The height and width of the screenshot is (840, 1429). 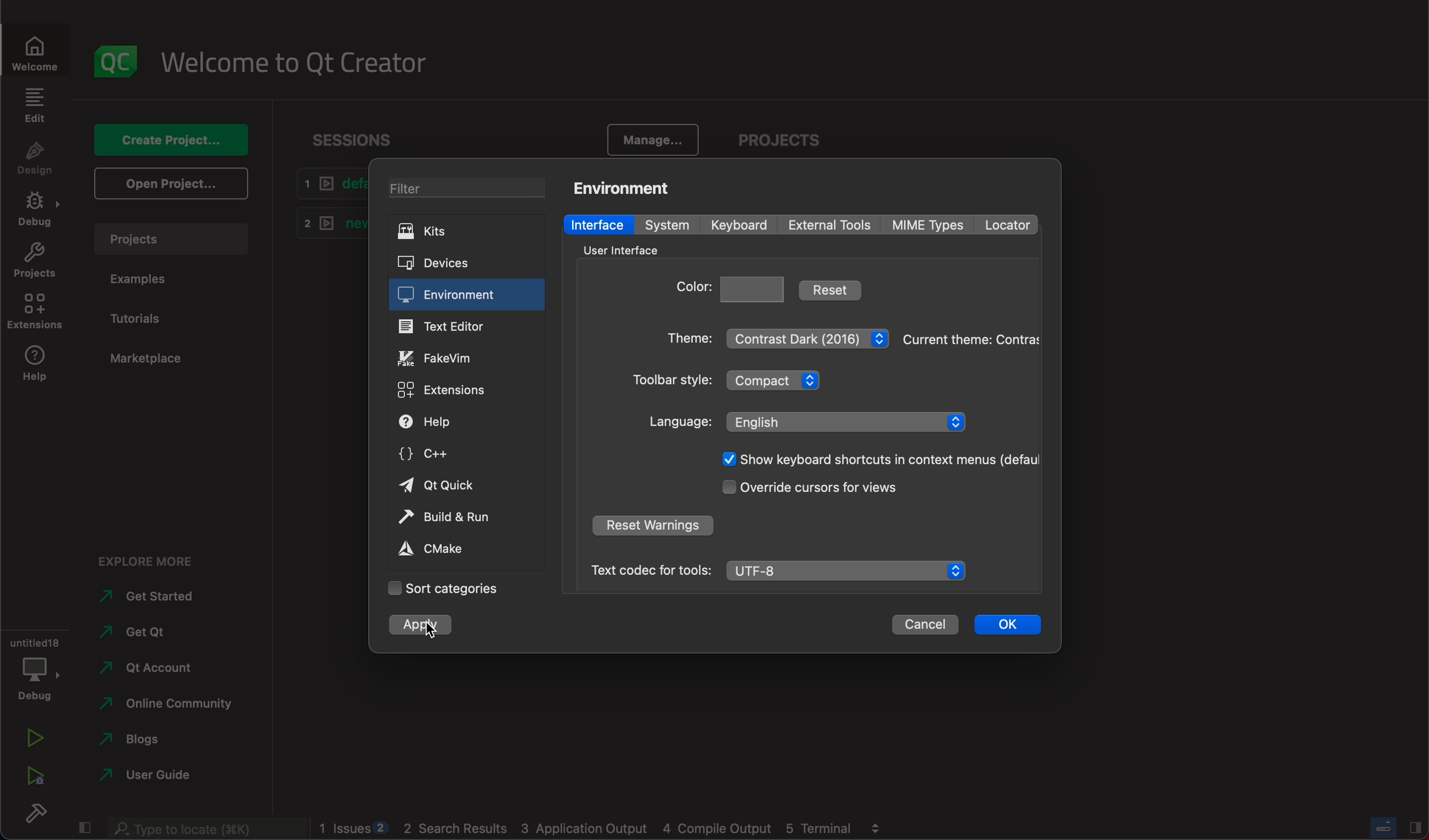 What do you see at coordinates (293, 60) in the screenshot?
I see `welcome` at bounding box center [293, 60].